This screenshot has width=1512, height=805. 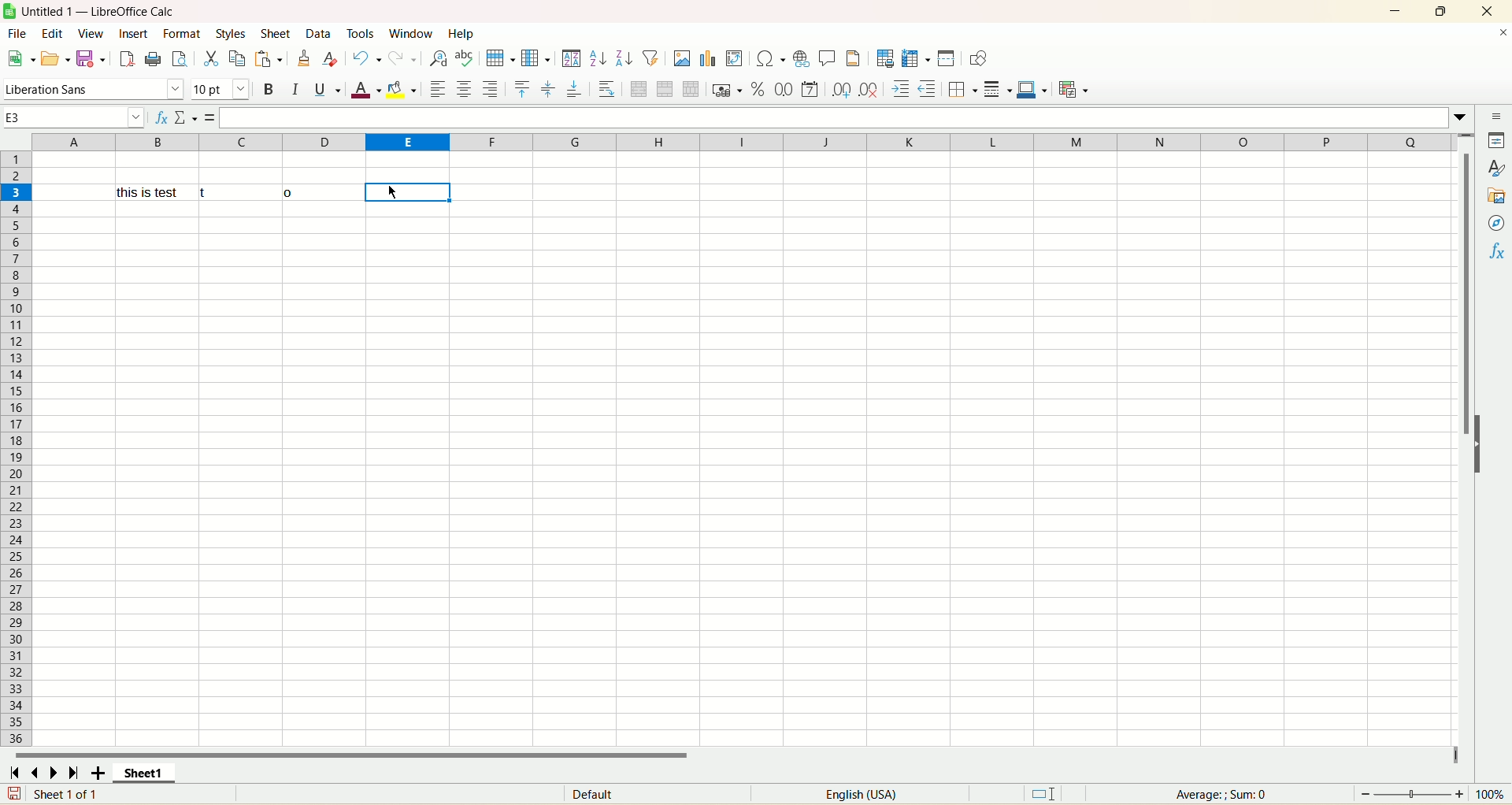 I want to click on data, so click(x=322, y=35).